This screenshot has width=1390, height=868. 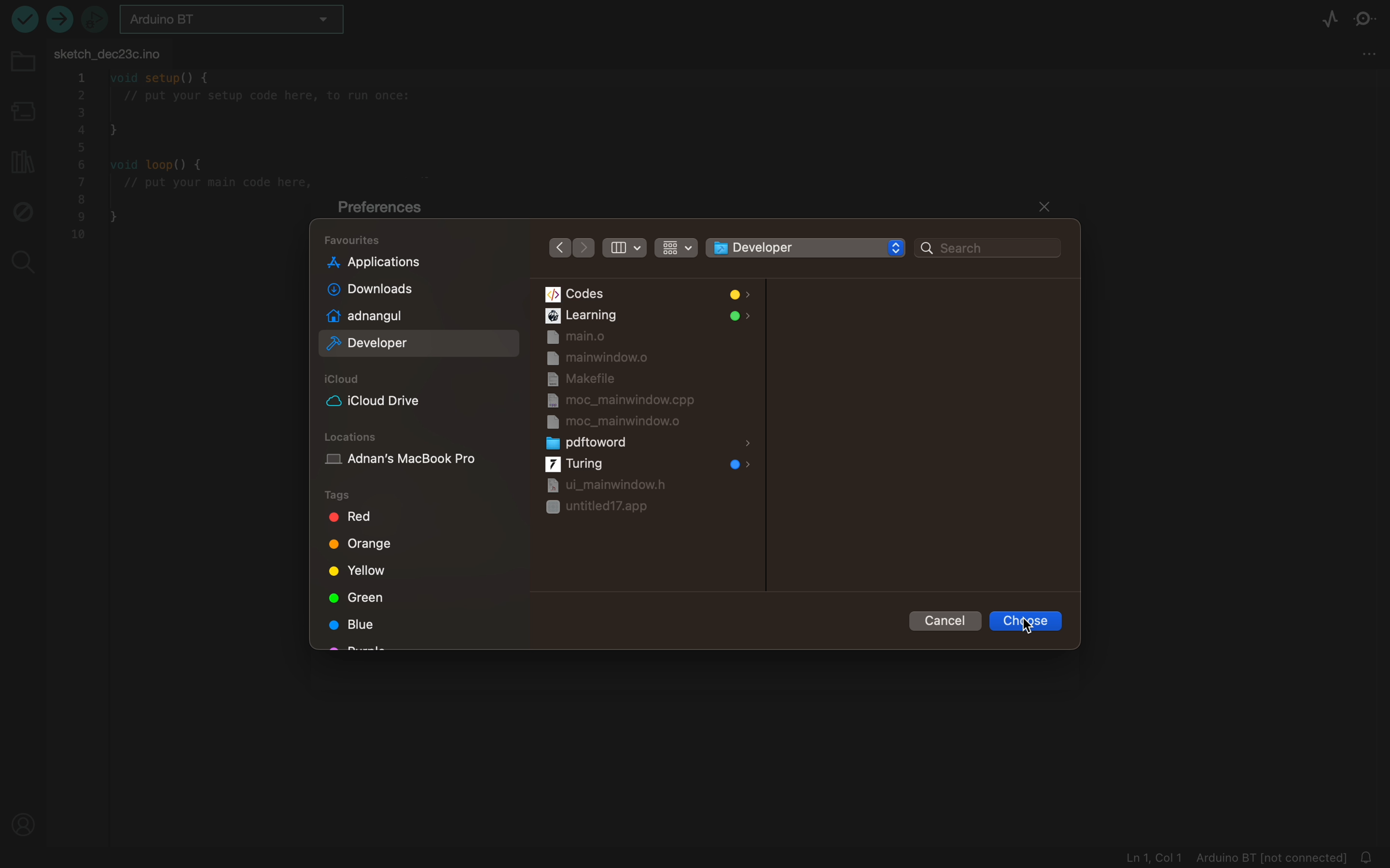 What do you see at coordinates (414, 455) in the screenshot?
I see `location` at bounding box center [414, 455].